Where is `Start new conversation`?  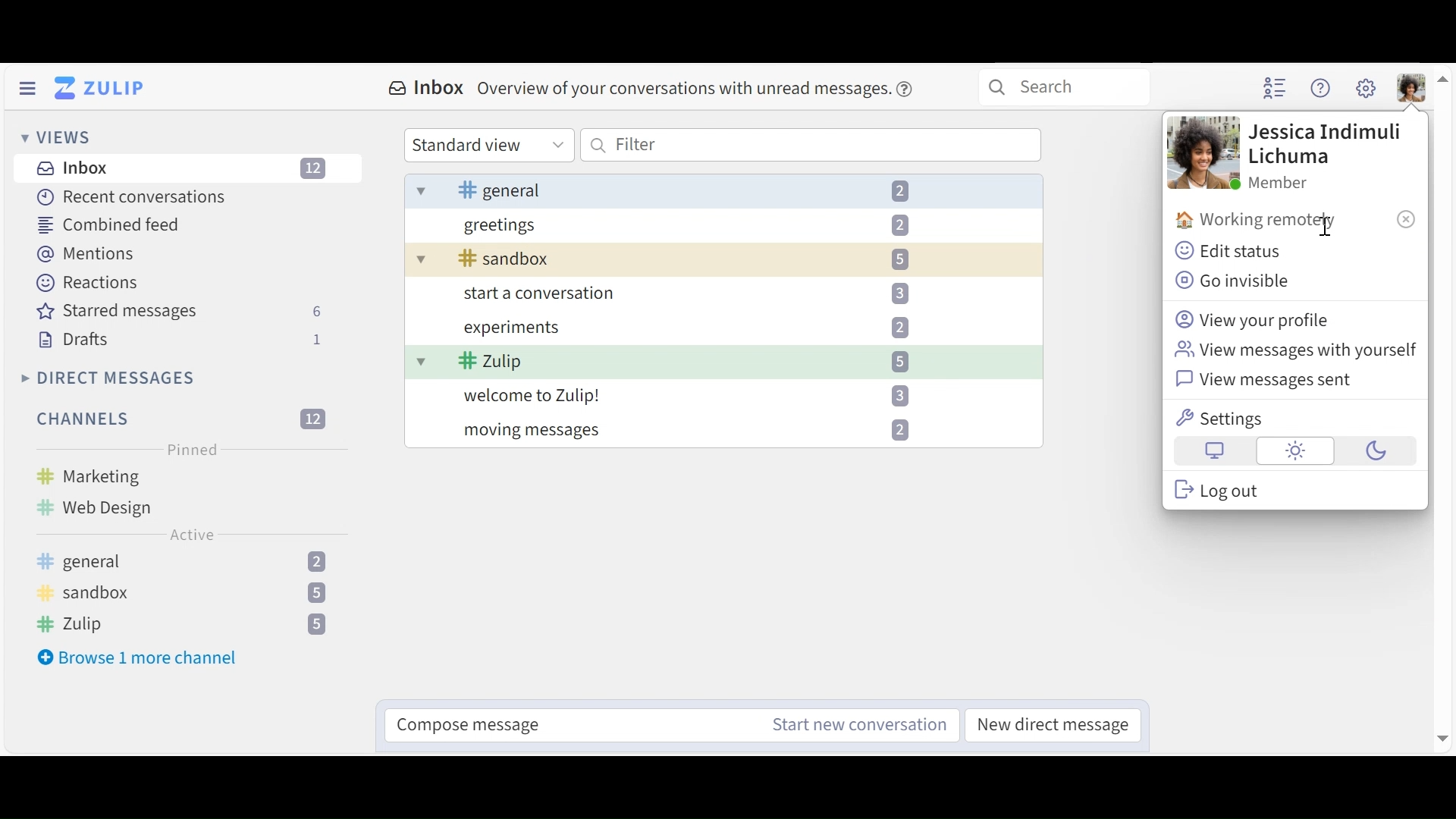
Start new conversation is located at coordinates (858, 723).